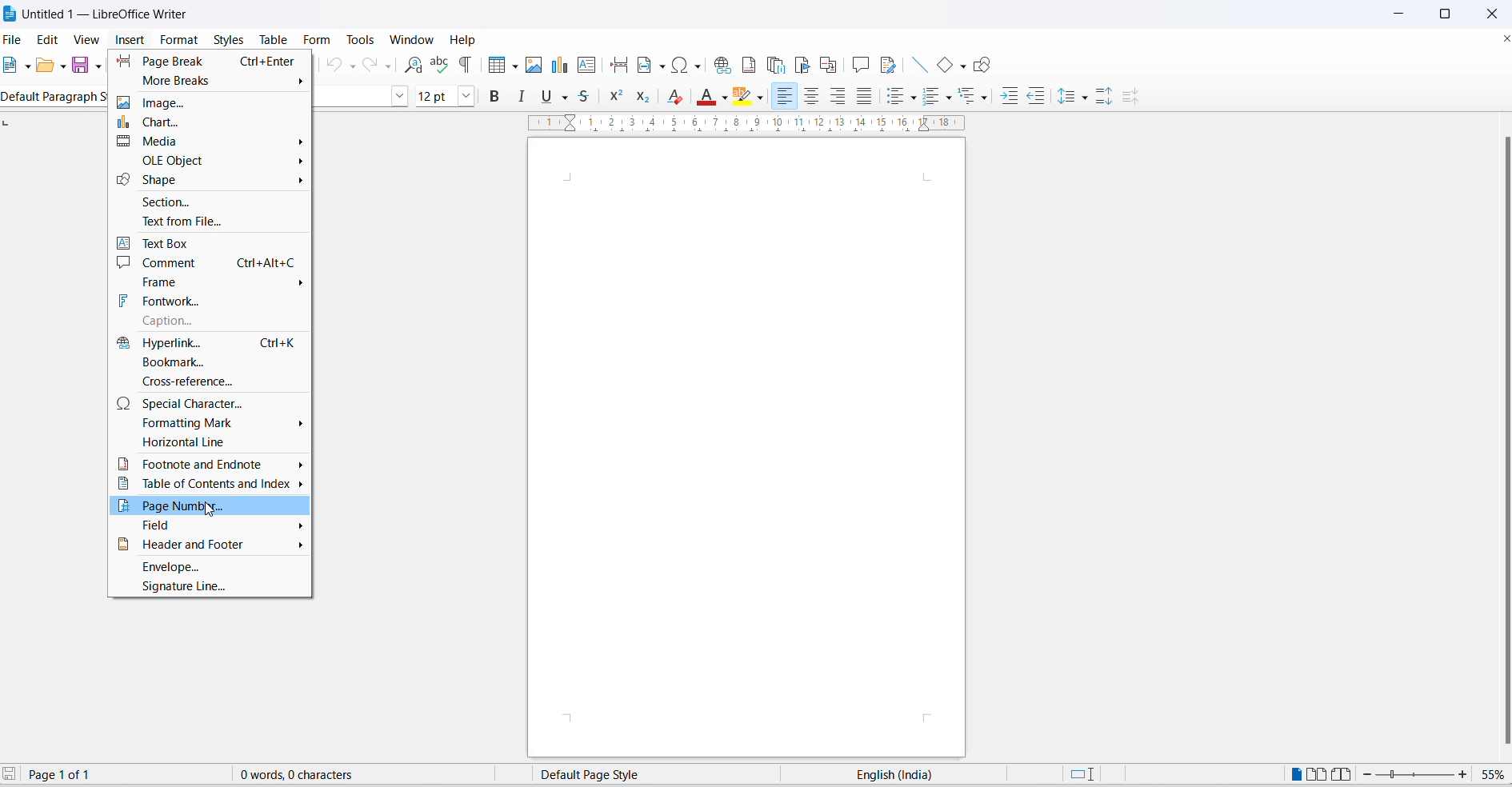 The image size is (1512, 787). Describe the element at coordinates (565, 98) in the screenshot. I see `underline options` at that location.